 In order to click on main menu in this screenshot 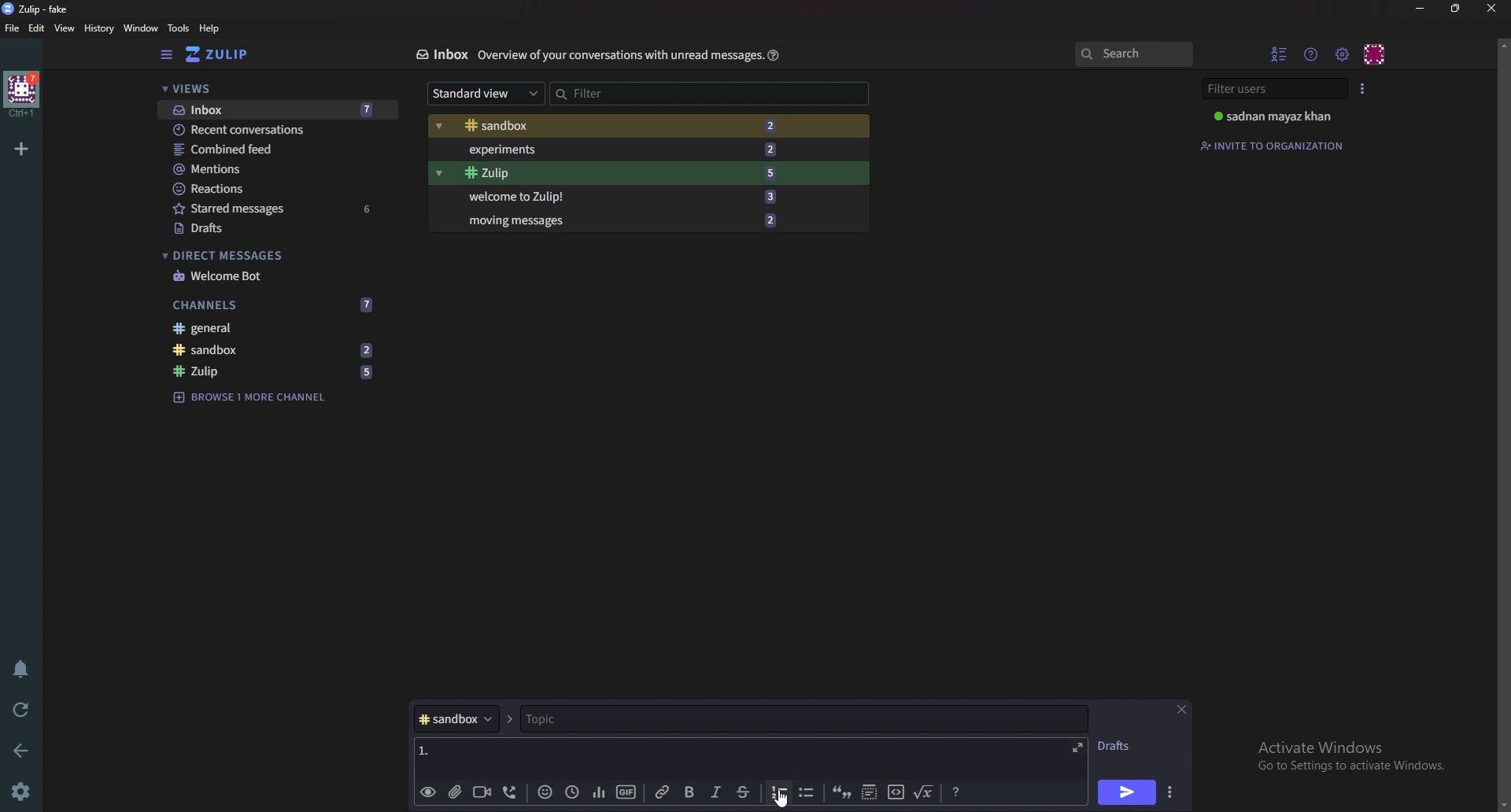, I will do `click(1343, 54)`.